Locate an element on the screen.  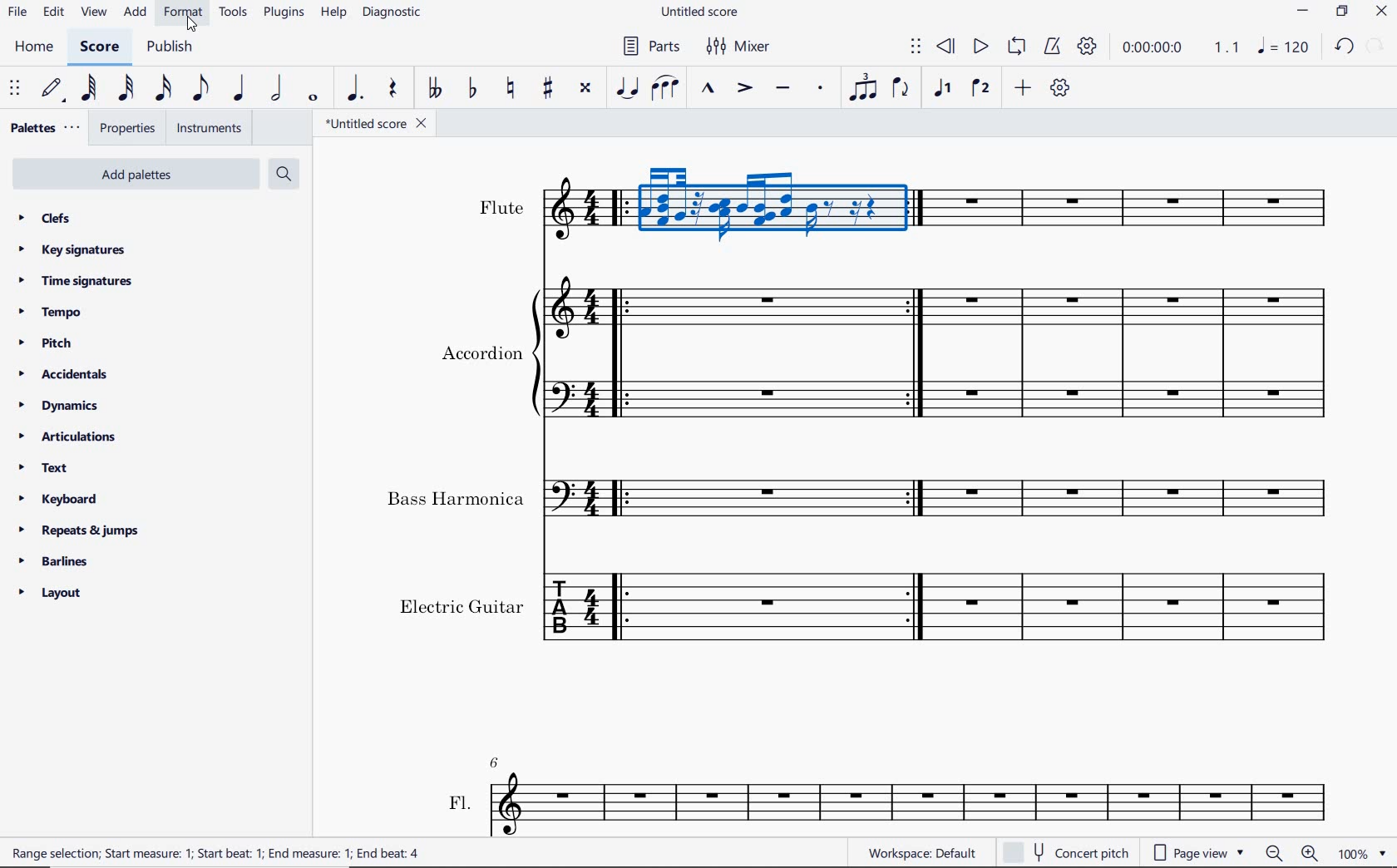
Instrument: Electric guitar is located at coordinates (870, 606).